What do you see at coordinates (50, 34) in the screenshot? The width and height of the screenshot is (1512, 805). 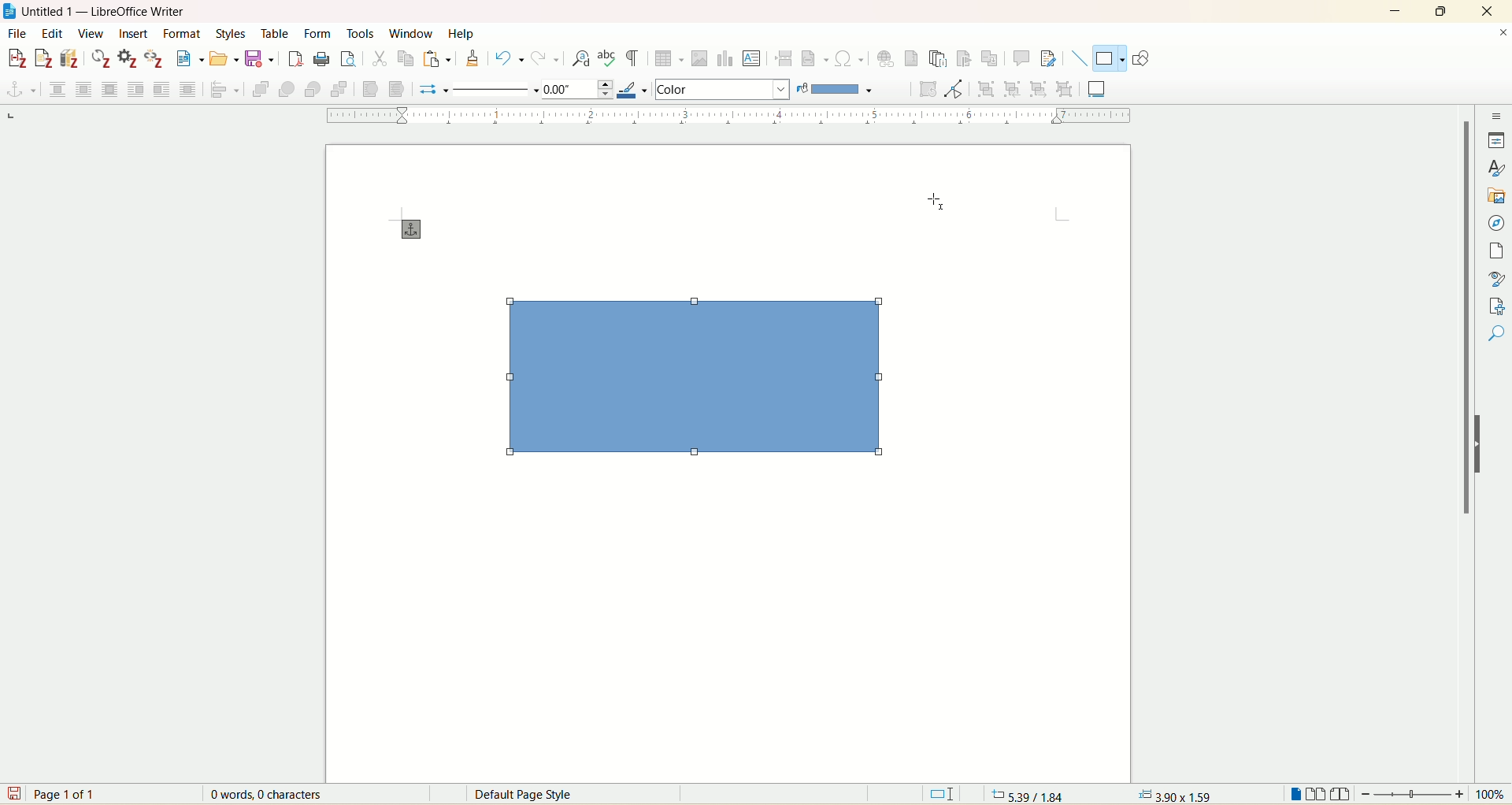 I see `edit` at bounding box center [50, 34].